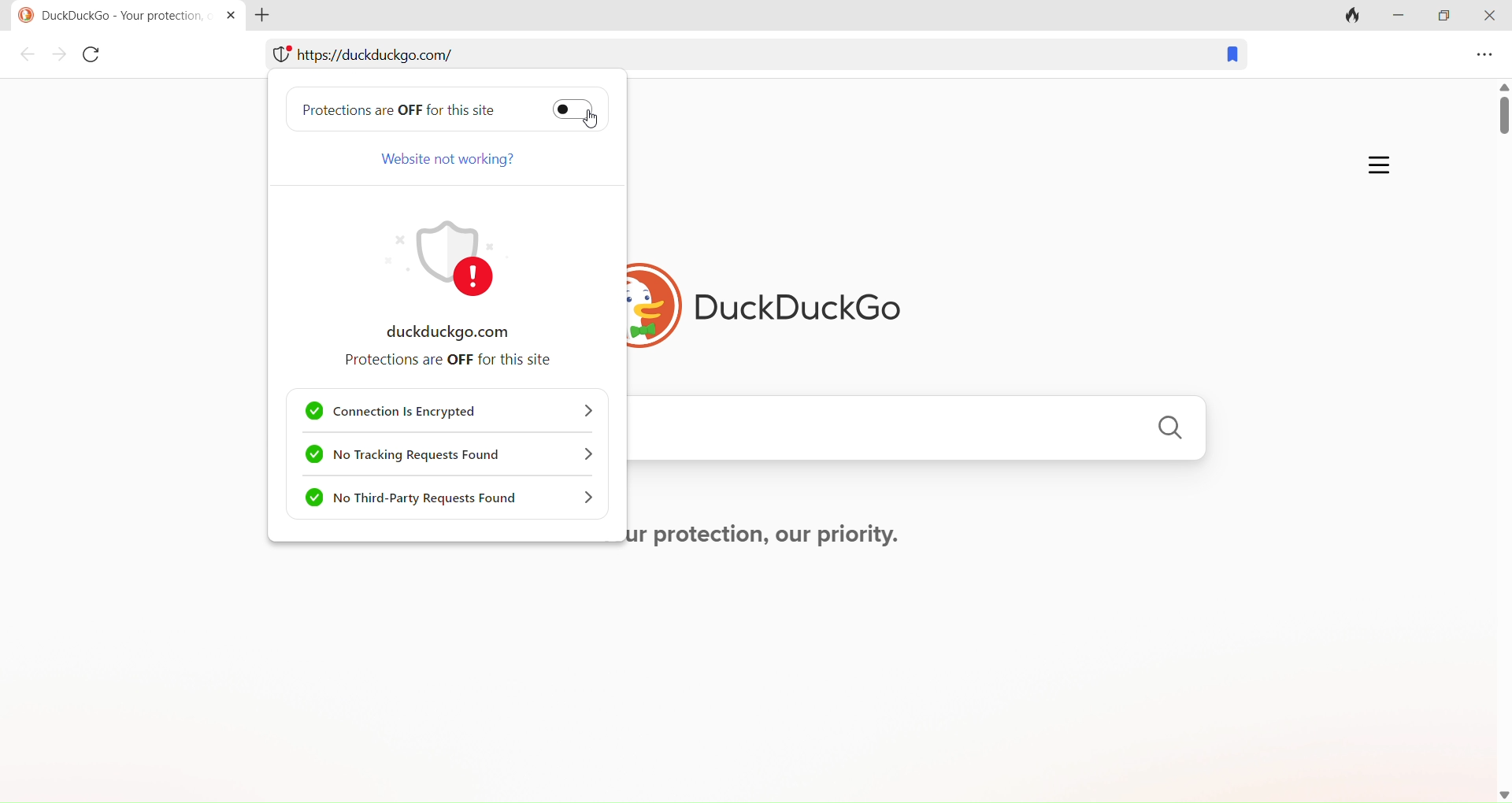 This screenshot has height=803, width=1512. What do you see at coordinates (59, 57) in the screenshot?
I see `forward` at bounding box center [59, 57].